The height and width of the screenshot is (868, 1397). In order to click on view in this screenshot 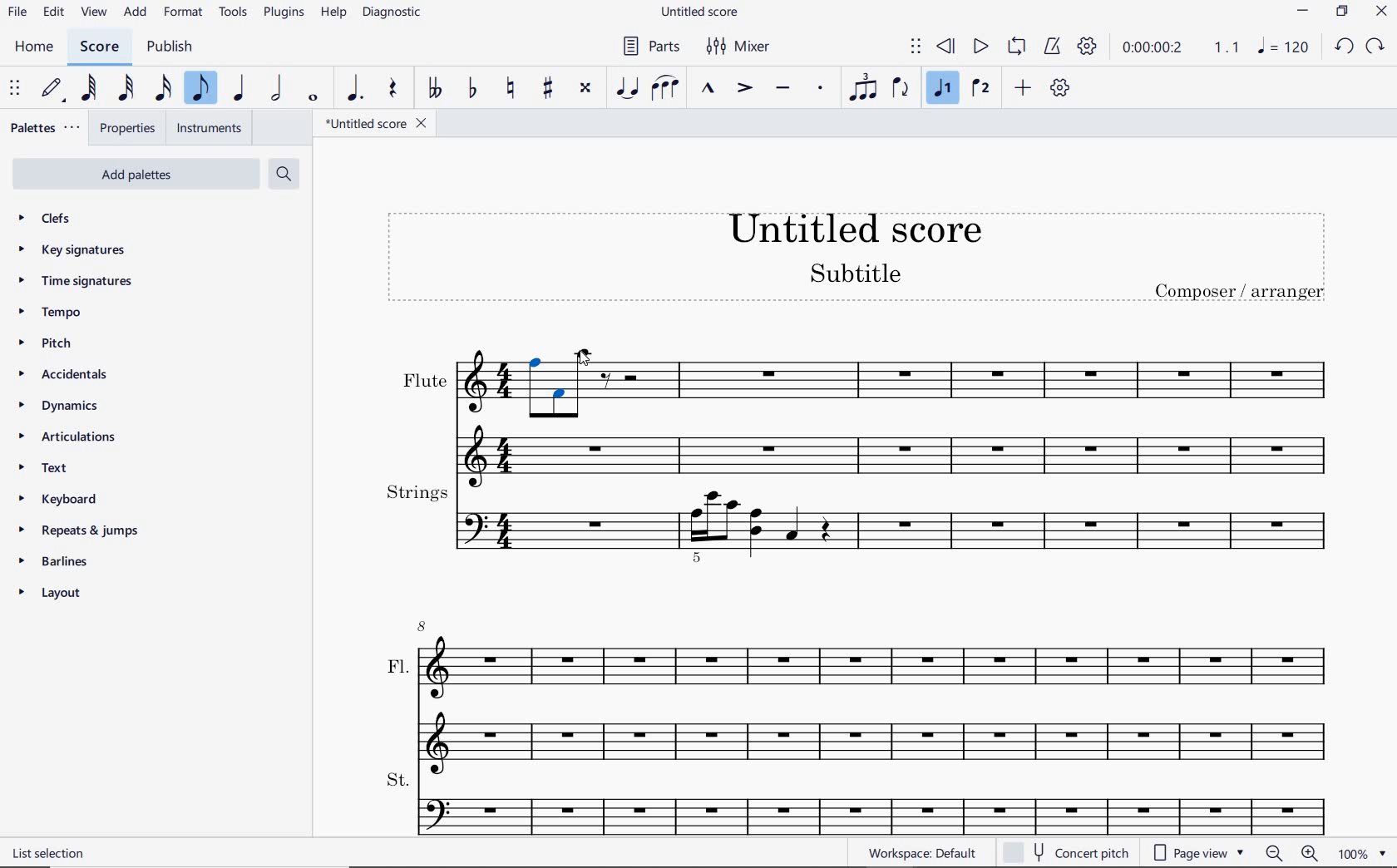, I will do `click(91, 13)`.